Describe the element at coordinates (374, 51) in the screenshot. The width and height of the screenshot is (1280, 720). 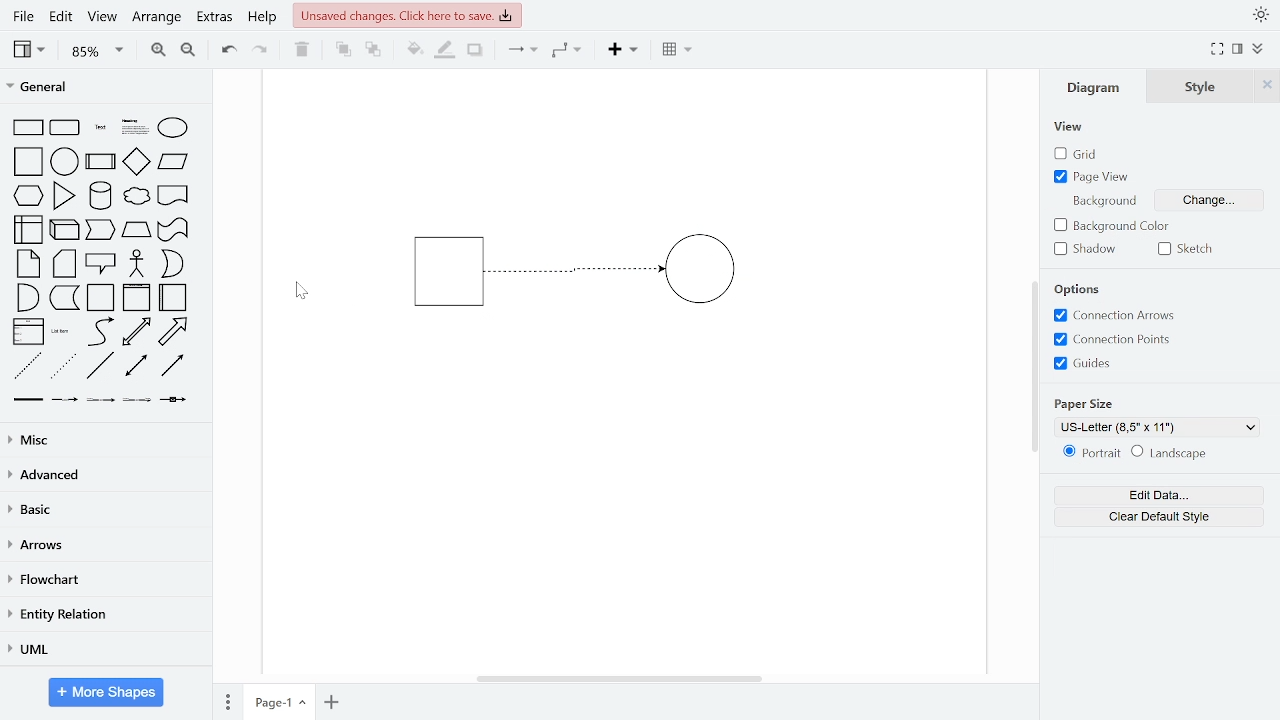
I see `to back` at that location.